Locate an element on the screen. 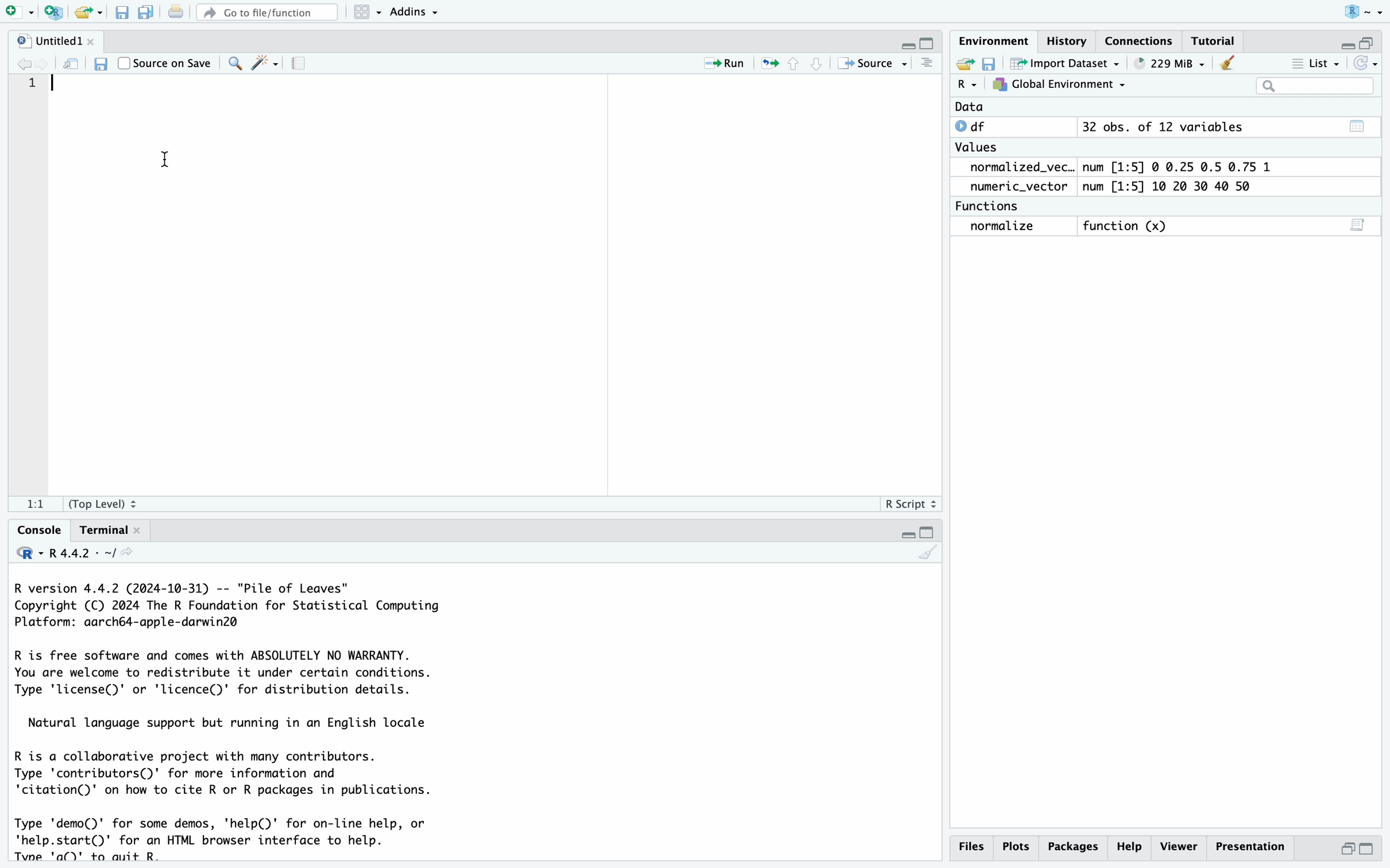  save is located at coordinates (104, 65).